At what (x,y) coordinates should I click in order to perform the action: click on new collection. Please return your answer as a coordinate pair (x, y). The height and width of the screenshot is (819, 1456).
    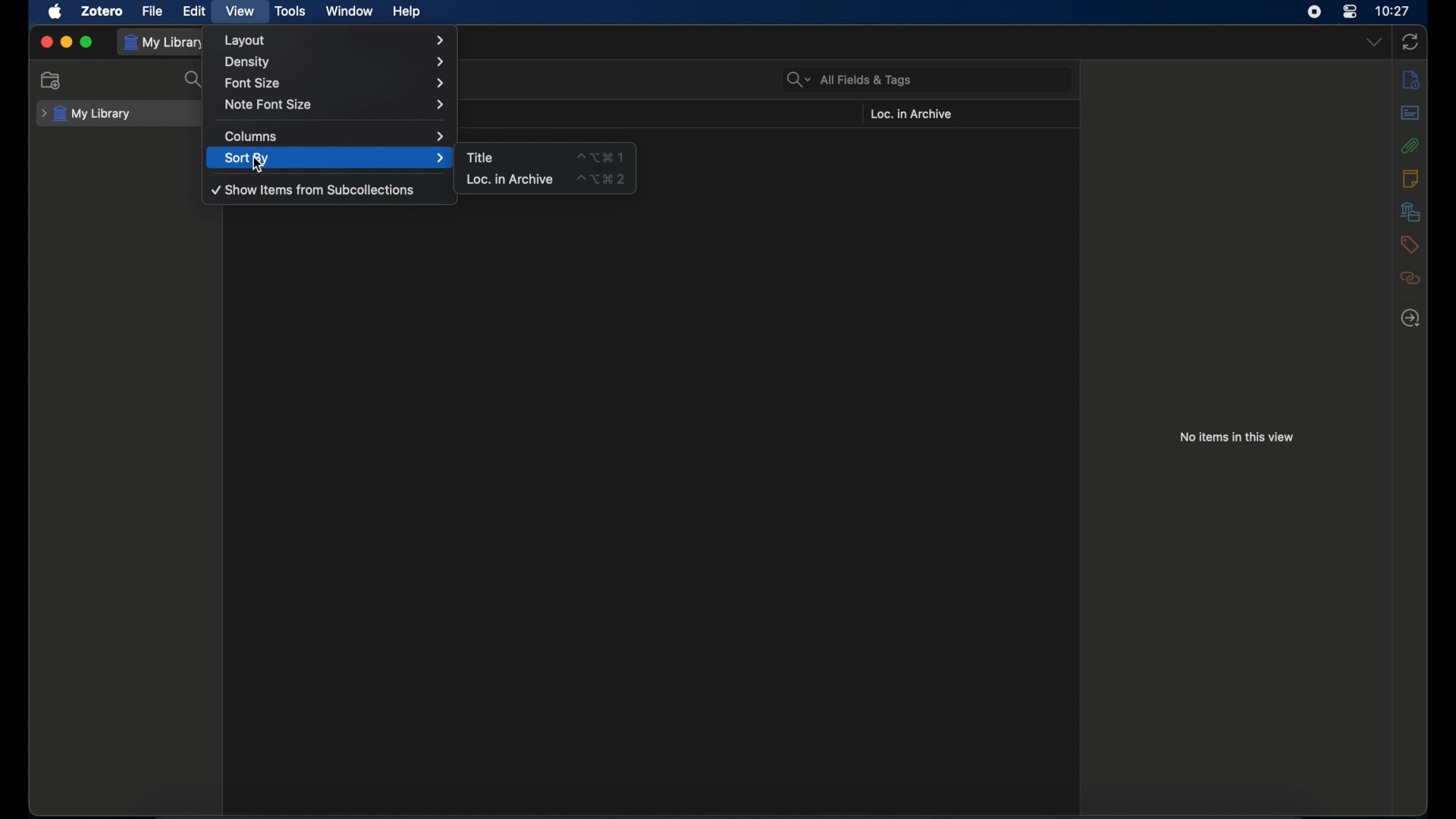
    Looking at the image, I should click on (51, 80).